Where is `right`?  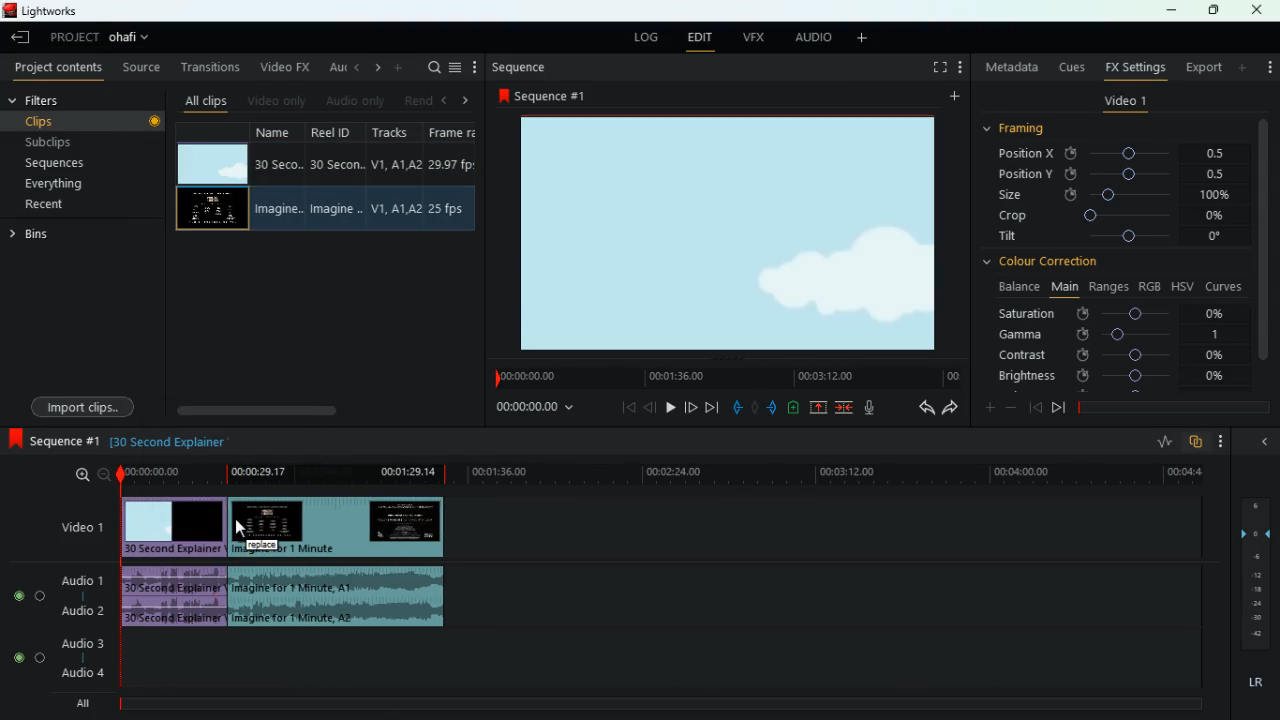
right is located at coordinates (466, 101).